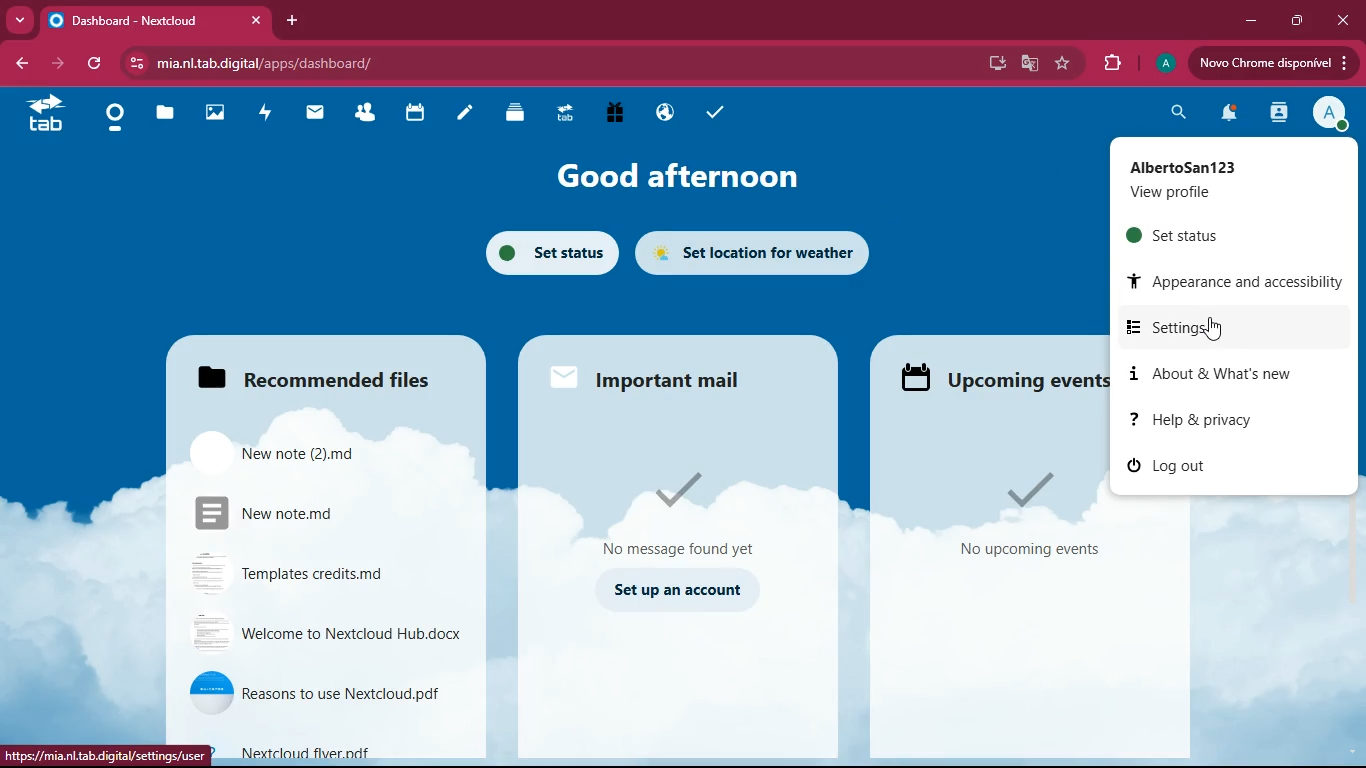 This screenshot has width=1366, height=768. What do you see at coordinates (1226, 376) in the screenshot?
I see `about` at bounding box center [1226, 376].